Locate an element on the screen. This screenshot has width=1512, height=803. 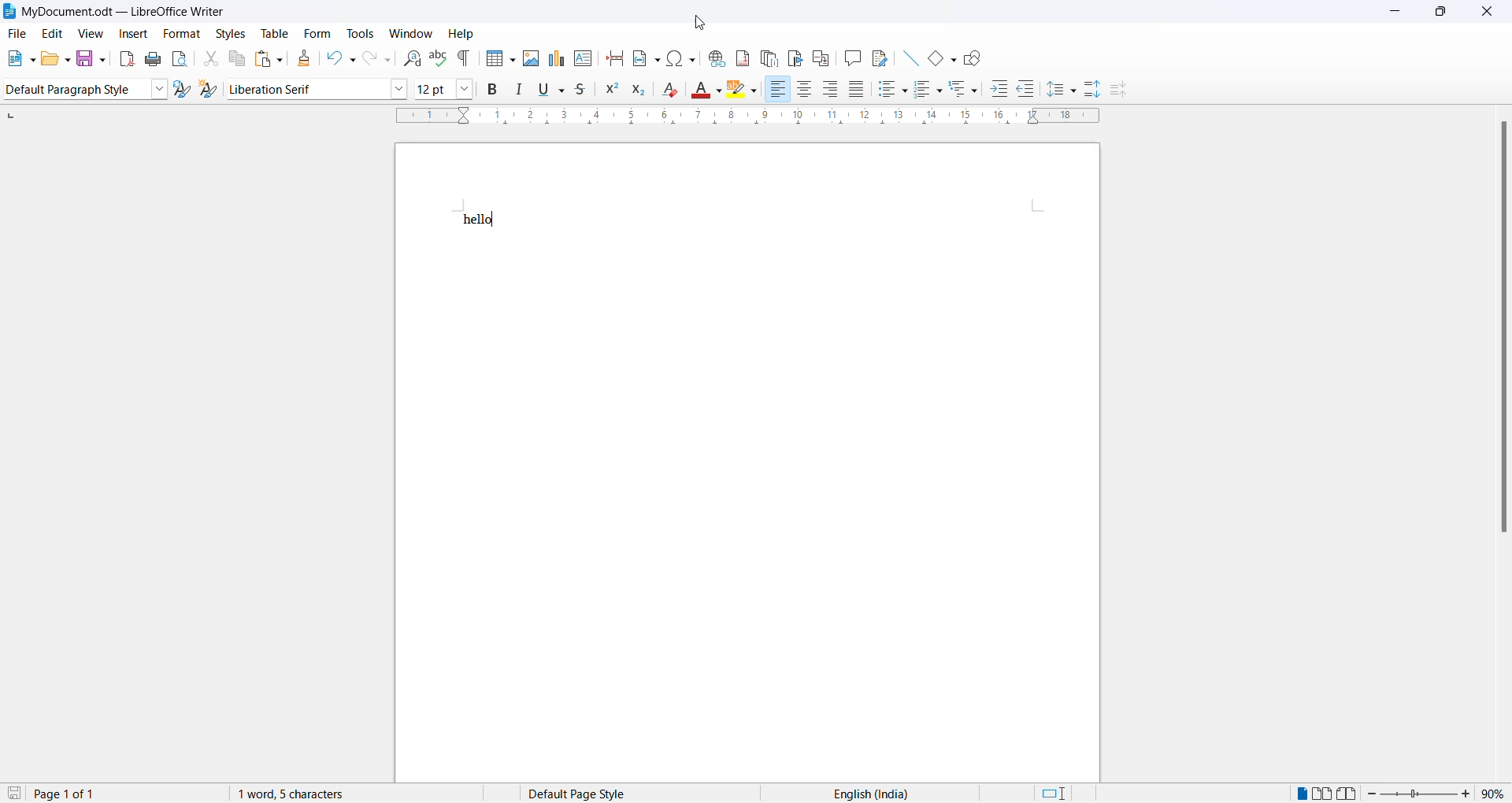
Italic is located at coordinates (518, 92).